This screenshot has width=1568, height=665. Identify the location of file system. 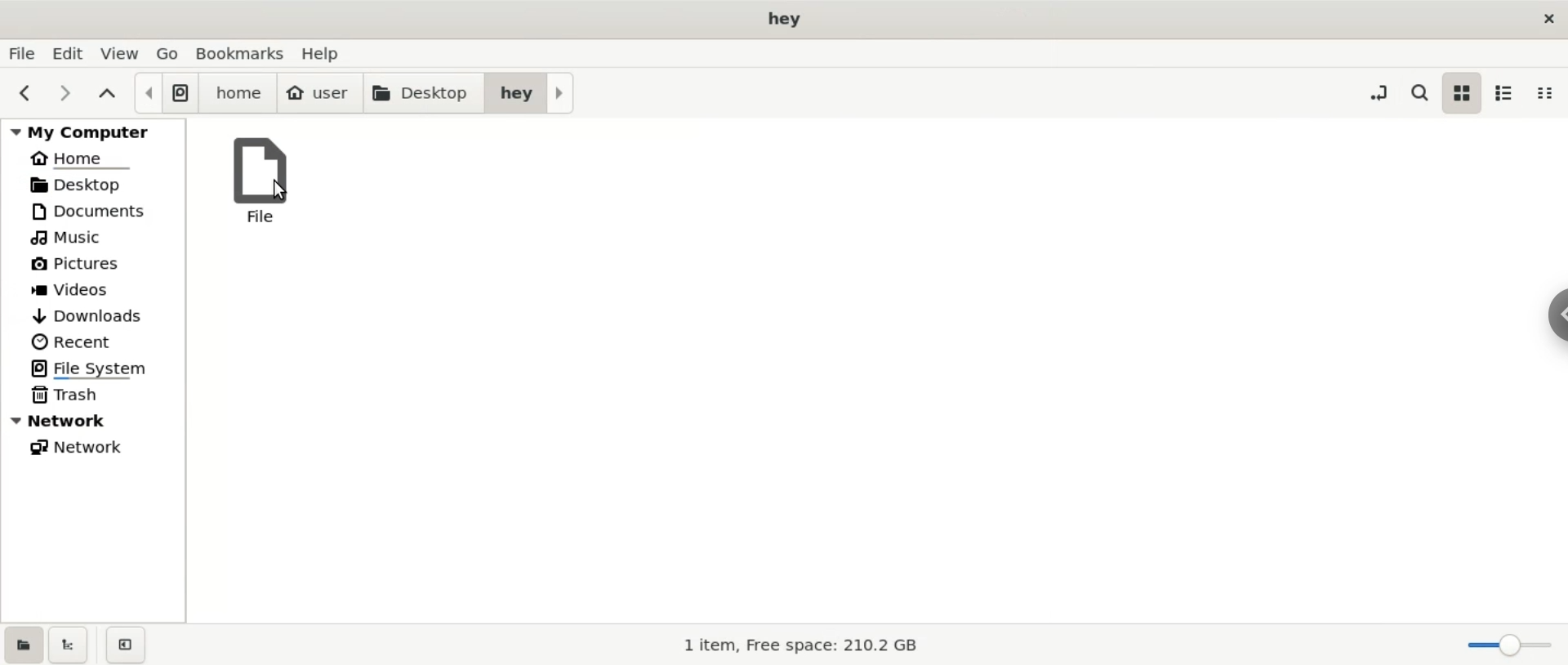
(165, 93).